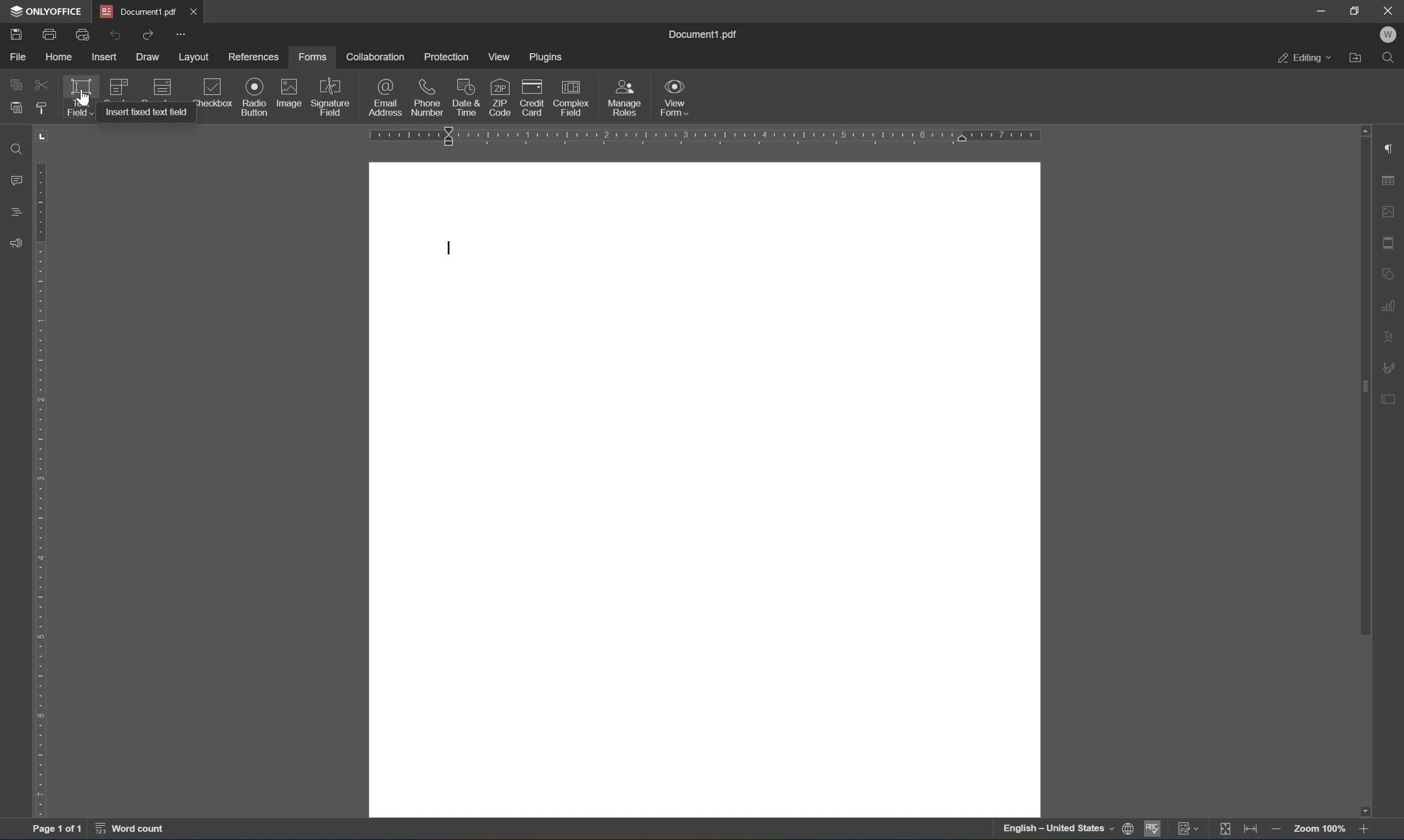 The image size is (1404, 840). Describe the element at coordinates (11, 35) in the screenshot. I see `save` at that location.